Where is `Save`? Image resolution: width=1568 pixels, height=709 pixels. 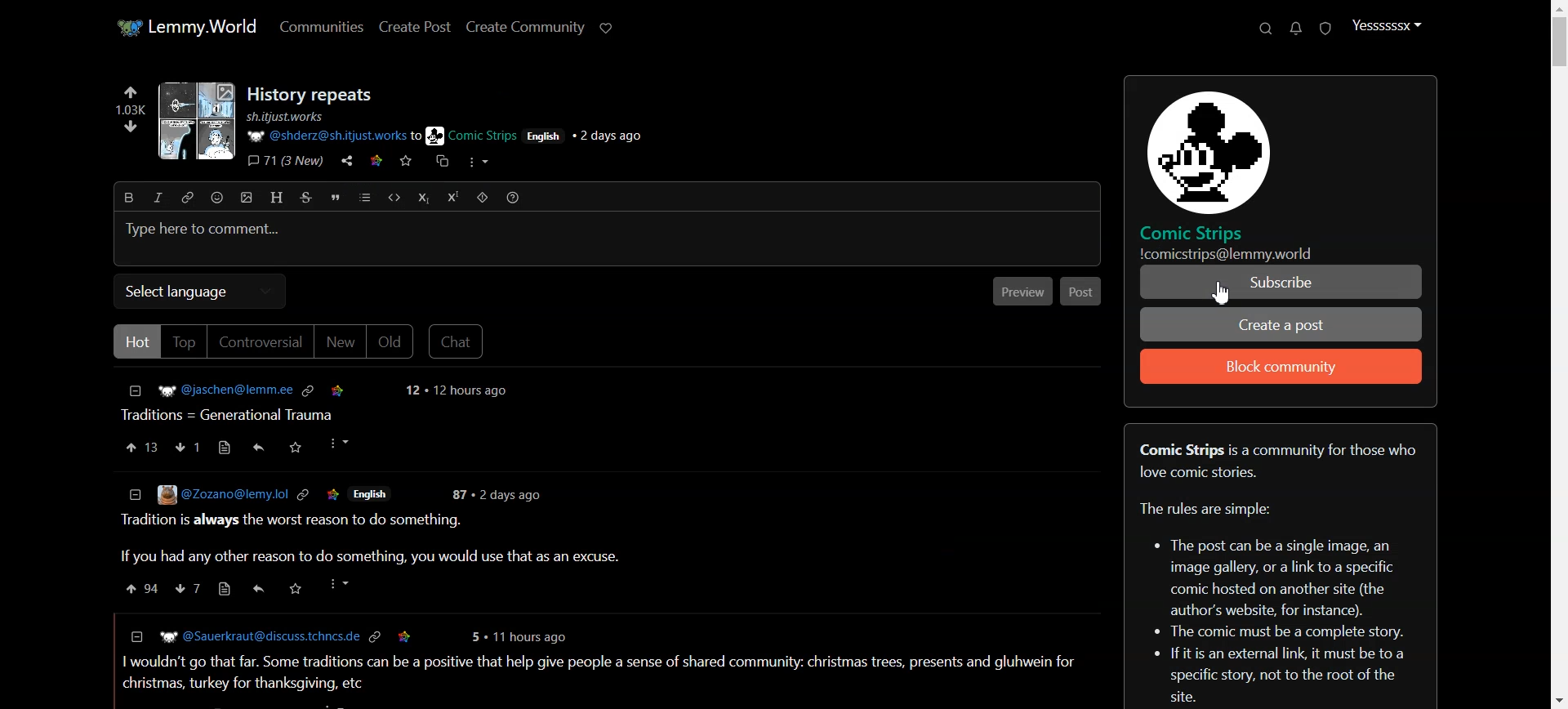 Save is located at coordinates (296, 446).